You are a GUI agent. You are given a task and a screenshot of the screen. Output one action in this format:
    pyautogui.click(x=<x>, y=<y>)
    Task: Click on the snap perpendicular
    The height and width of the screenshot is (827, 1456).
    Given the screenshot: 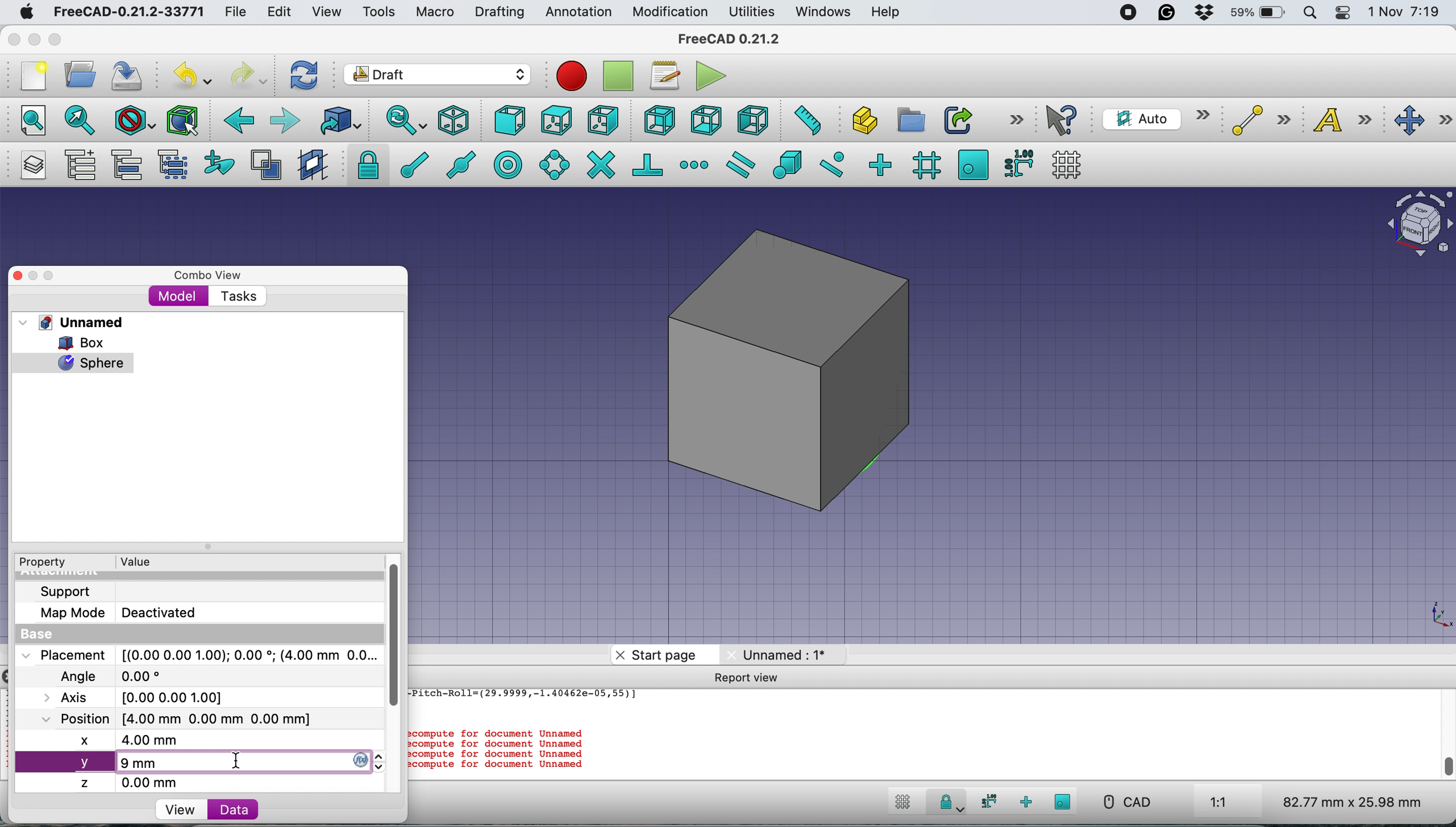 What is the action you would take?
    pyautogui.click(x=649, y=164)
    